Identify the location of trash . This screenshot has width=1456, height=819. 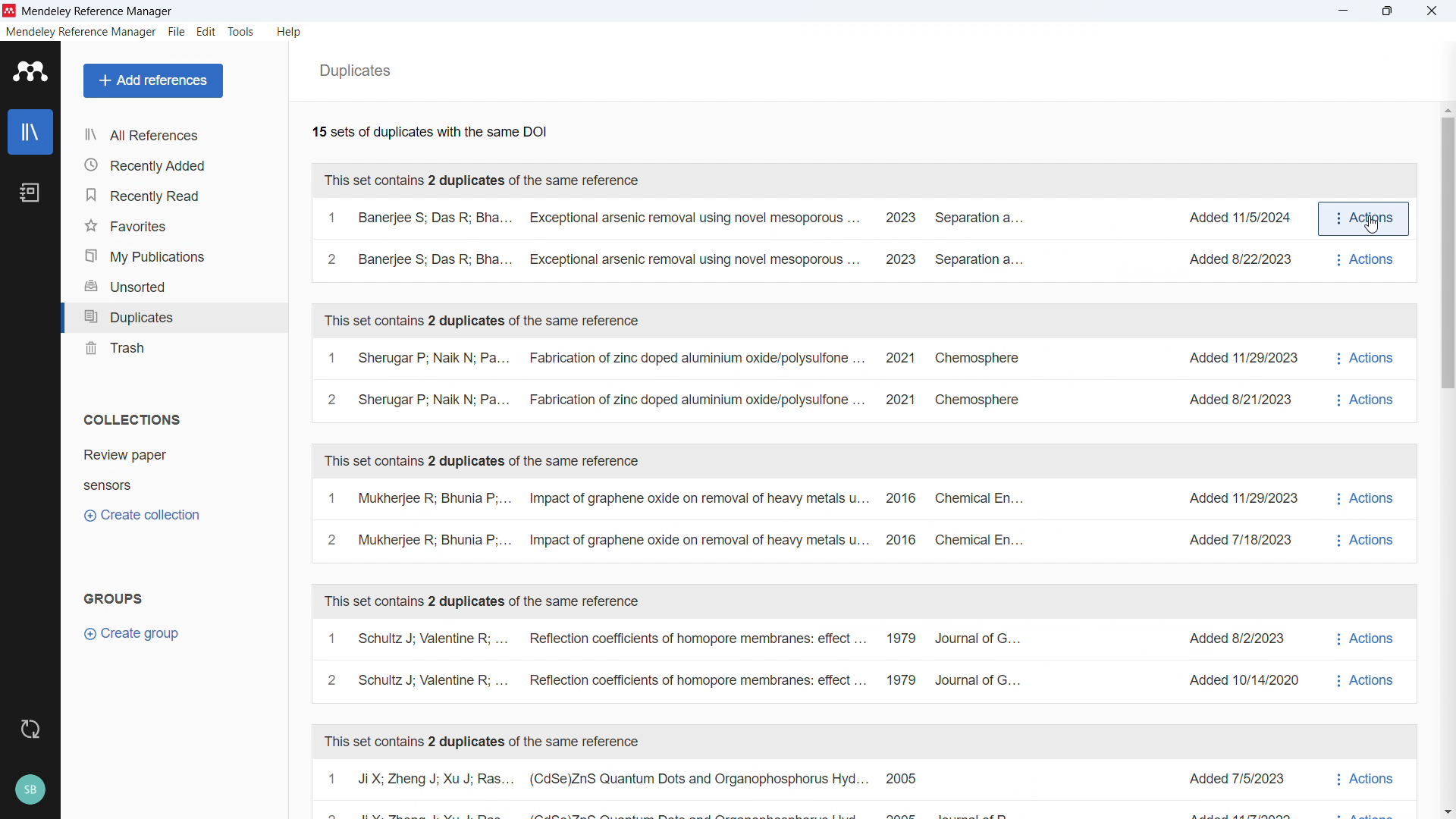
(173, 350).